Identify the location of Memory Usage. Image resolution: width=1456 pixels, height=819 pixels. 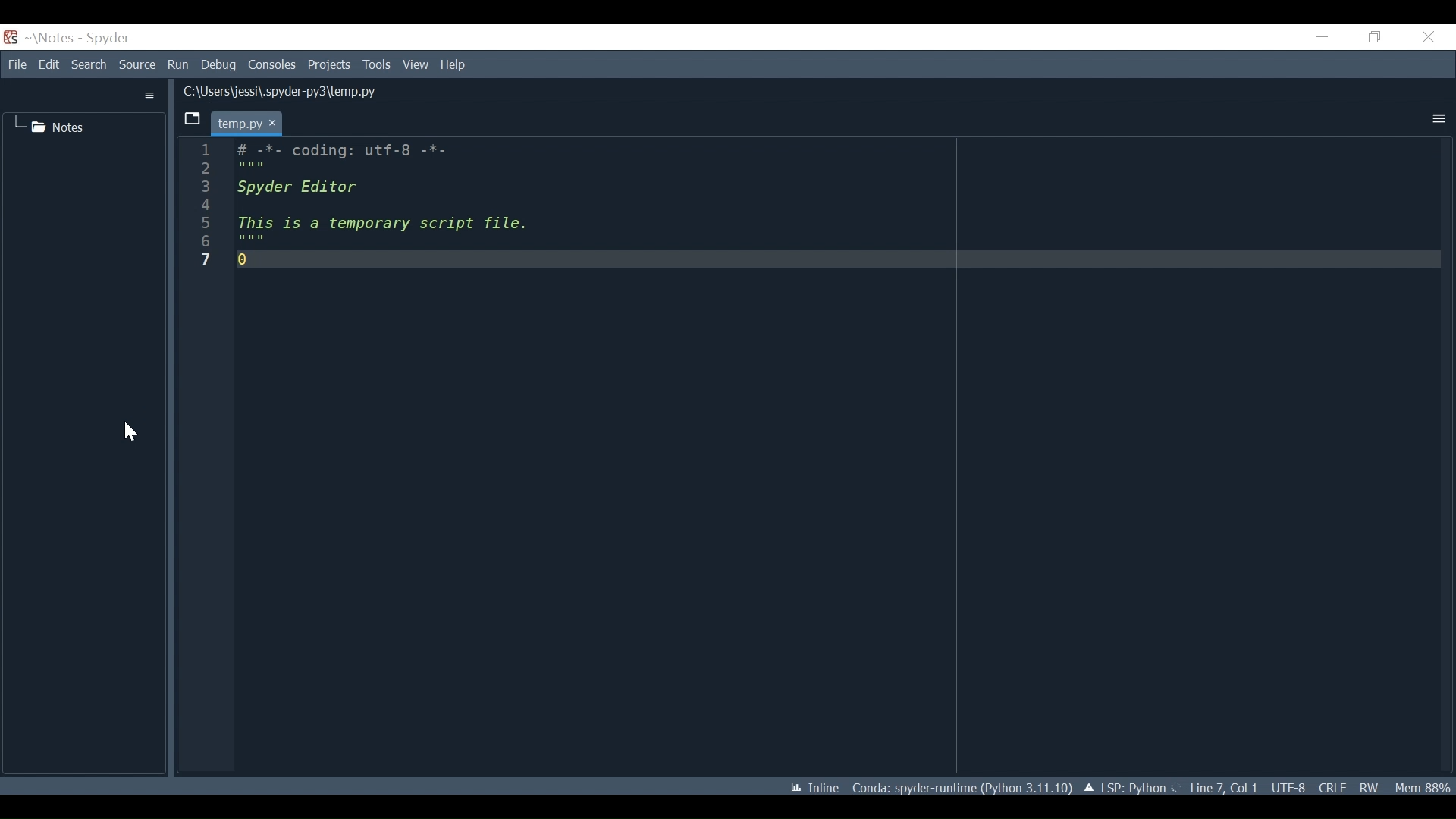
(1423, 787).